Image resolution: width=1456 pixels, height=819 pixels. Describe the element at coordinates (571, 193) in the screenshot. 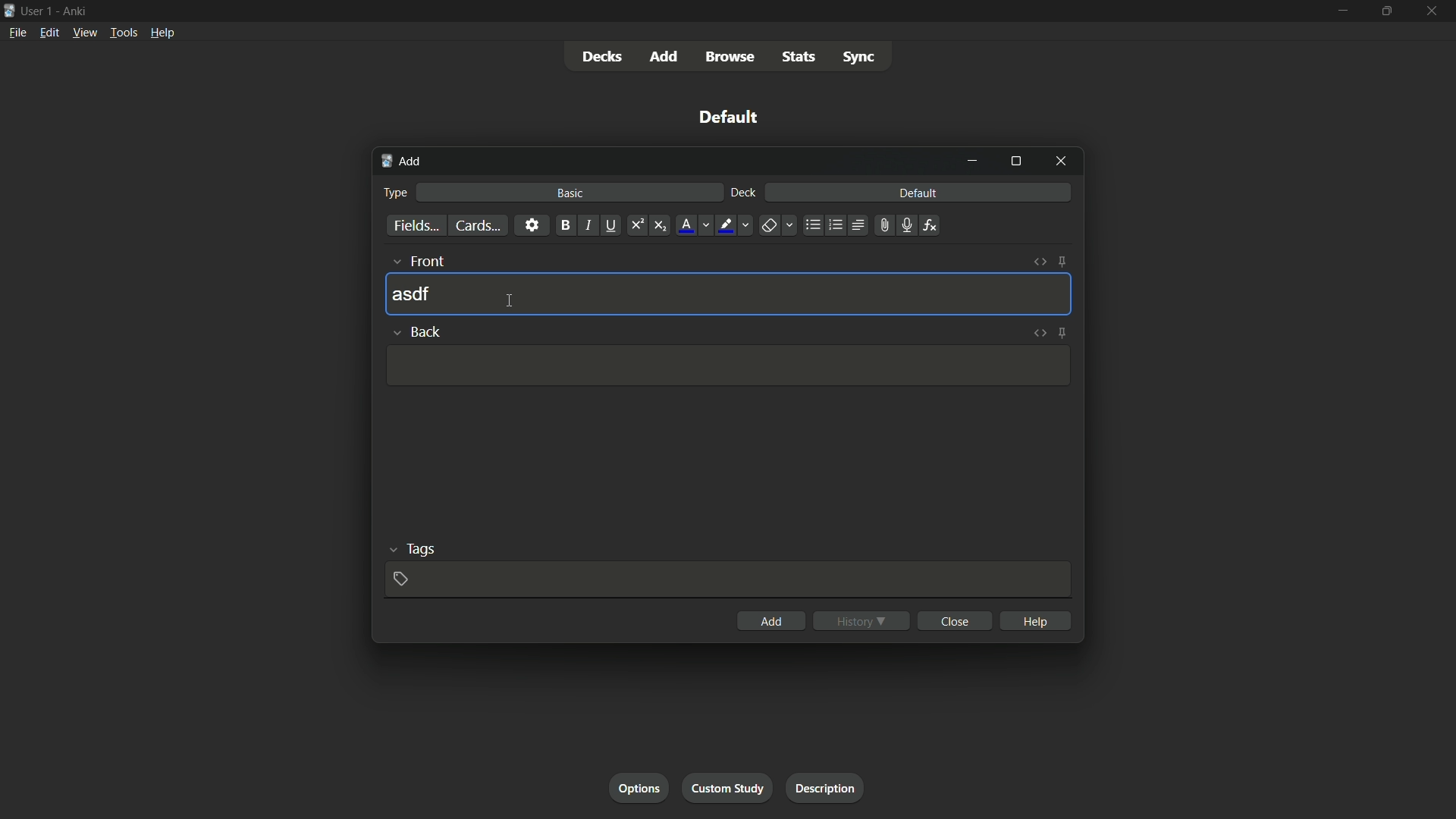

I see `basic` at that location.